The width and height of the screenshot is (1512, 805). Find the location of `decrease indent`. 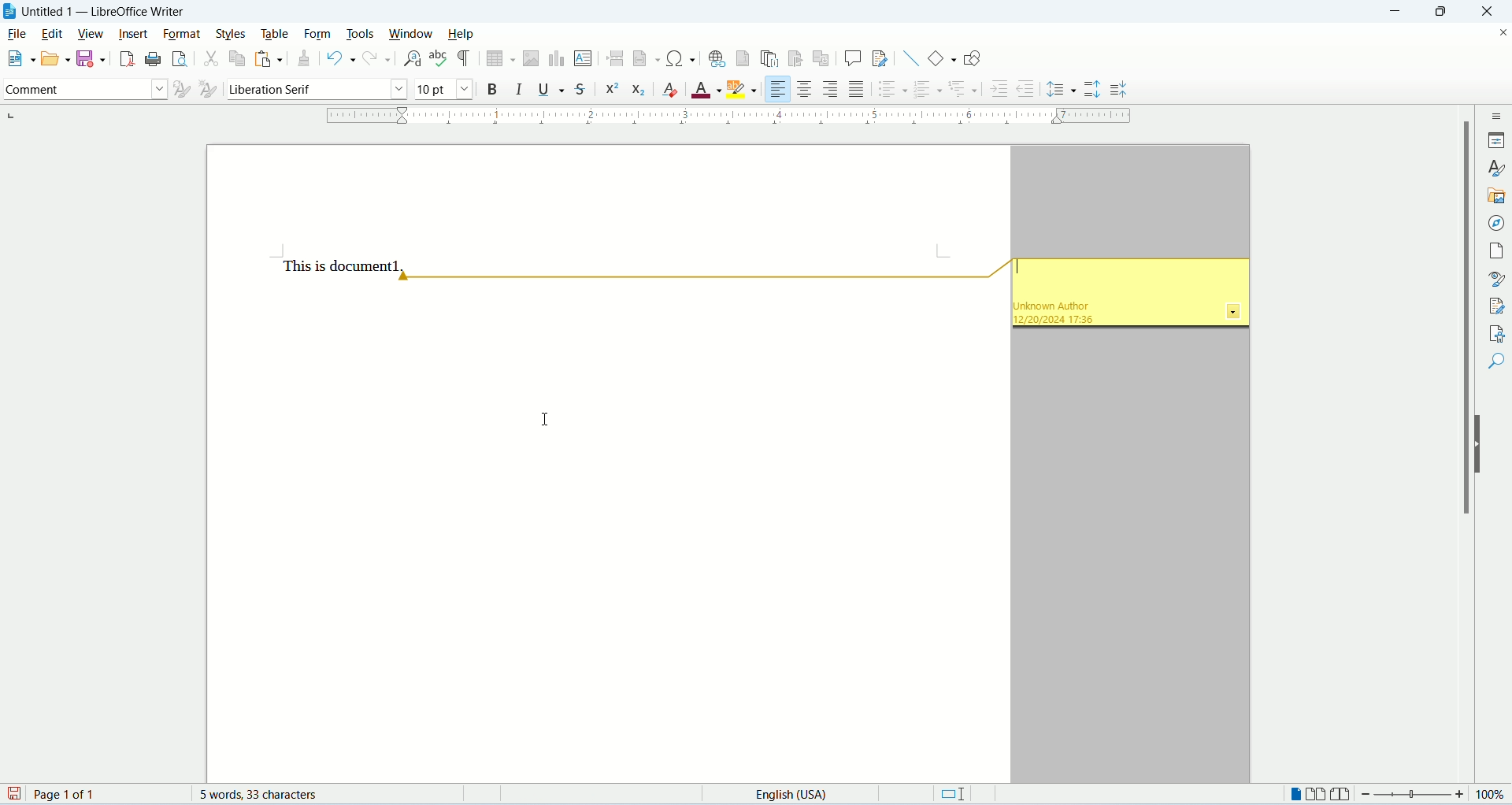

decrease indent is located at coordinates (1030, 88).